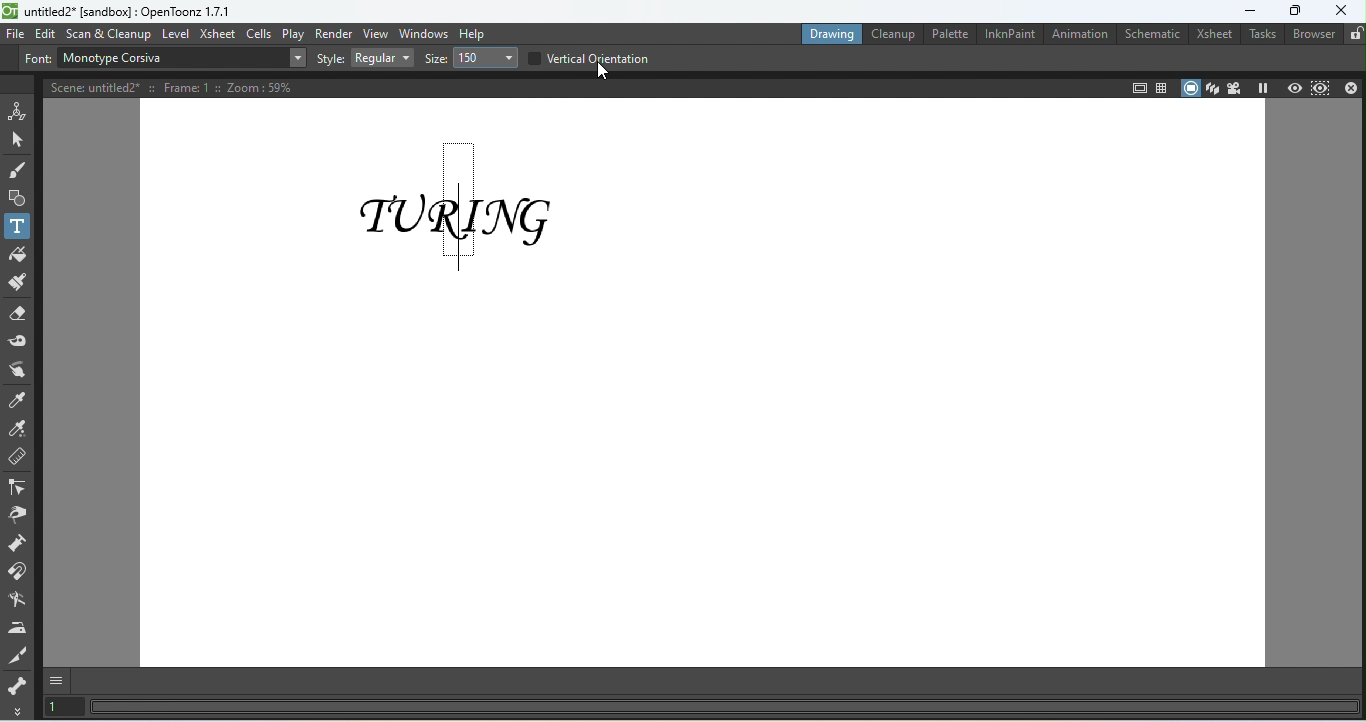 Image resolution: width=1366 pixels, height=722 pixels. What do you see at coordinates (1162, 84) in the screenshot?
I see `Field guide` at bounding box center [1162, 84].